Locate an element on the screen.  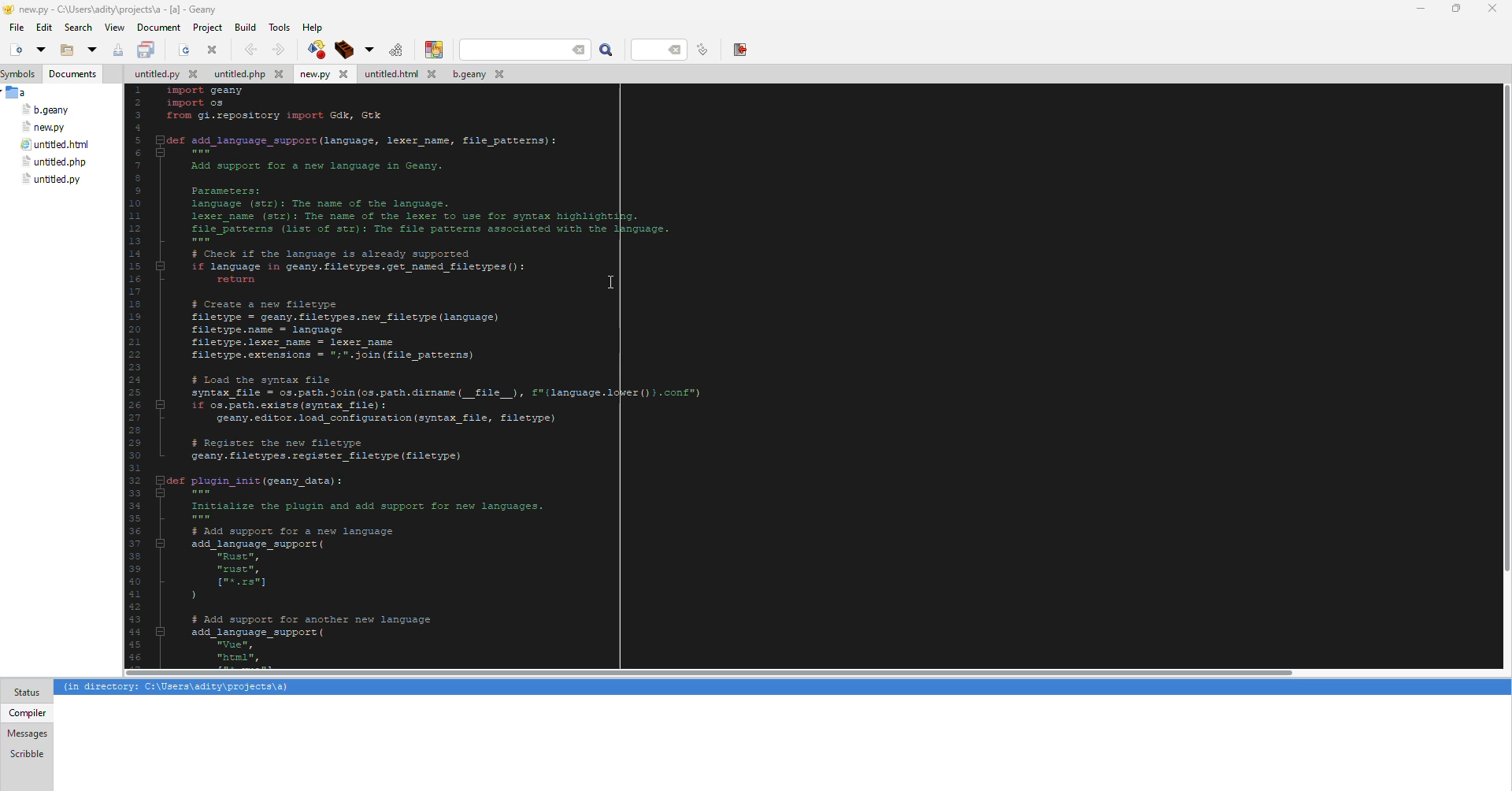
scroll bar is located at coordinates (697, 670).